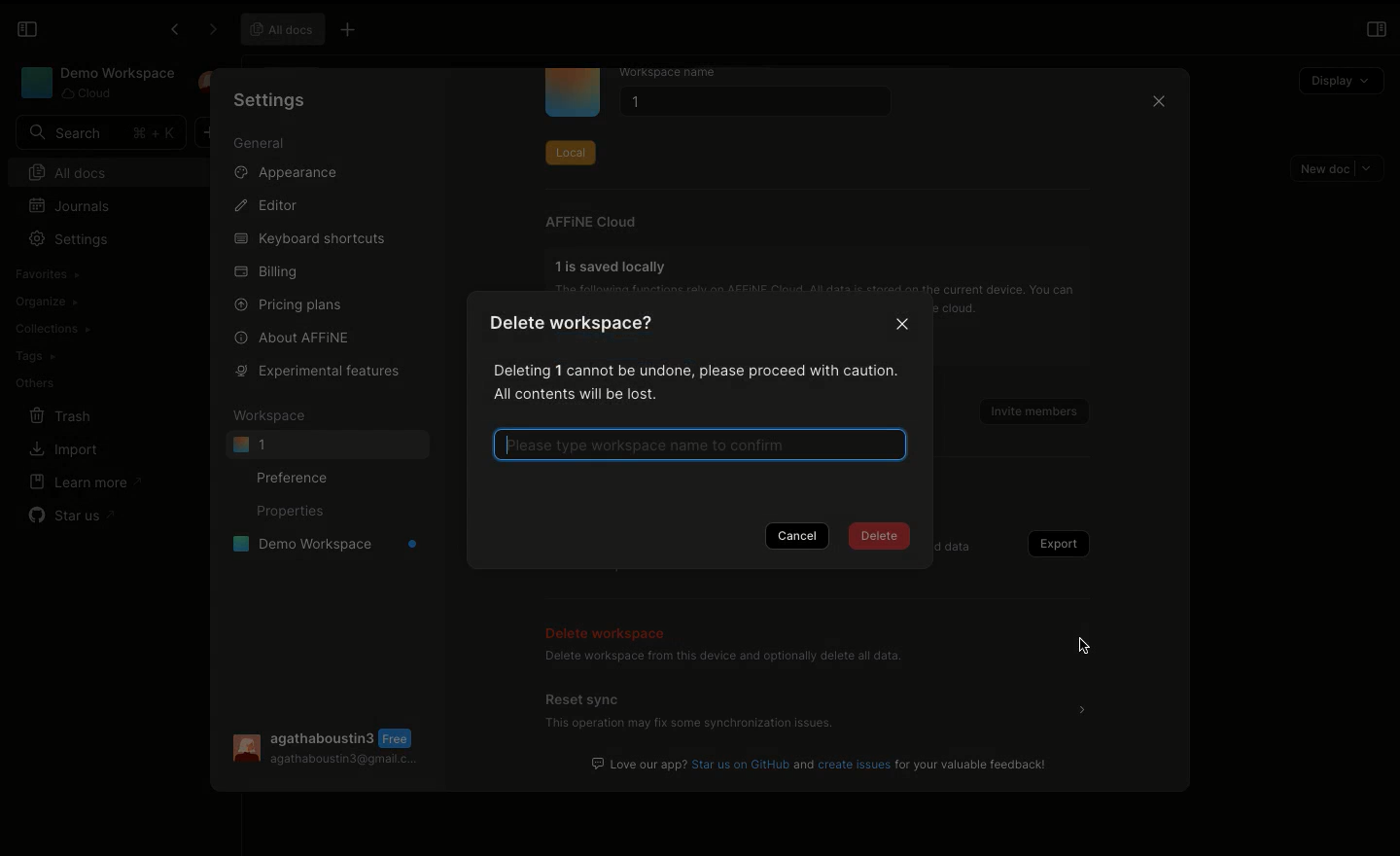 Image resolution: width=1400 pixels, height=856 pixels. What do you see at coordinates (294, 337) in the screenshot?
I see `About AFFINE` at bounding box center [294, 337].